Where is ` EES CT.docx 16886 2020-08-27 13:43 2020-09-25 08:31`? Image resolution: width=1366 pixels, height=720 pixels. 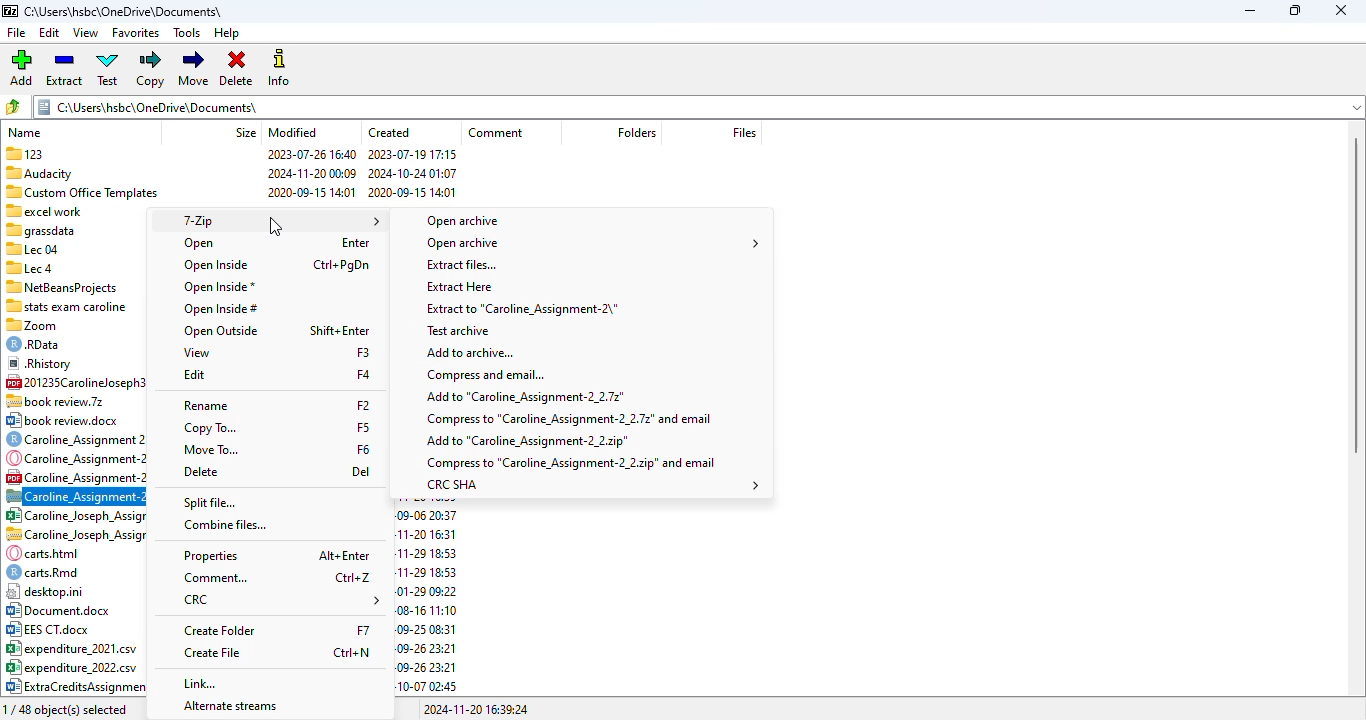
 EES CT.docx 16886 2020-08-27 13:43 2020-09-25 08:31 is located at coordinates (73, 630).